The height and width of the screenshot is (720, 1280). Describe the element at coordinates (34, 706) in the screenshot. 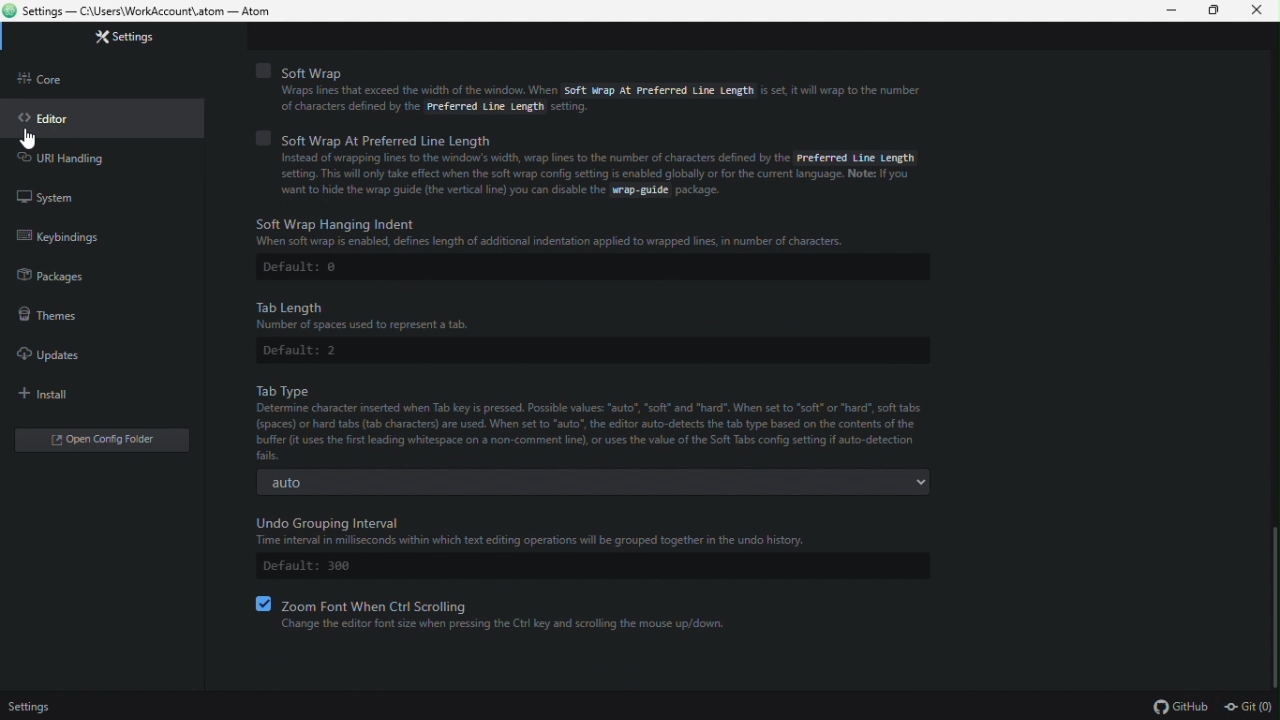

I see `Settings` at that location.